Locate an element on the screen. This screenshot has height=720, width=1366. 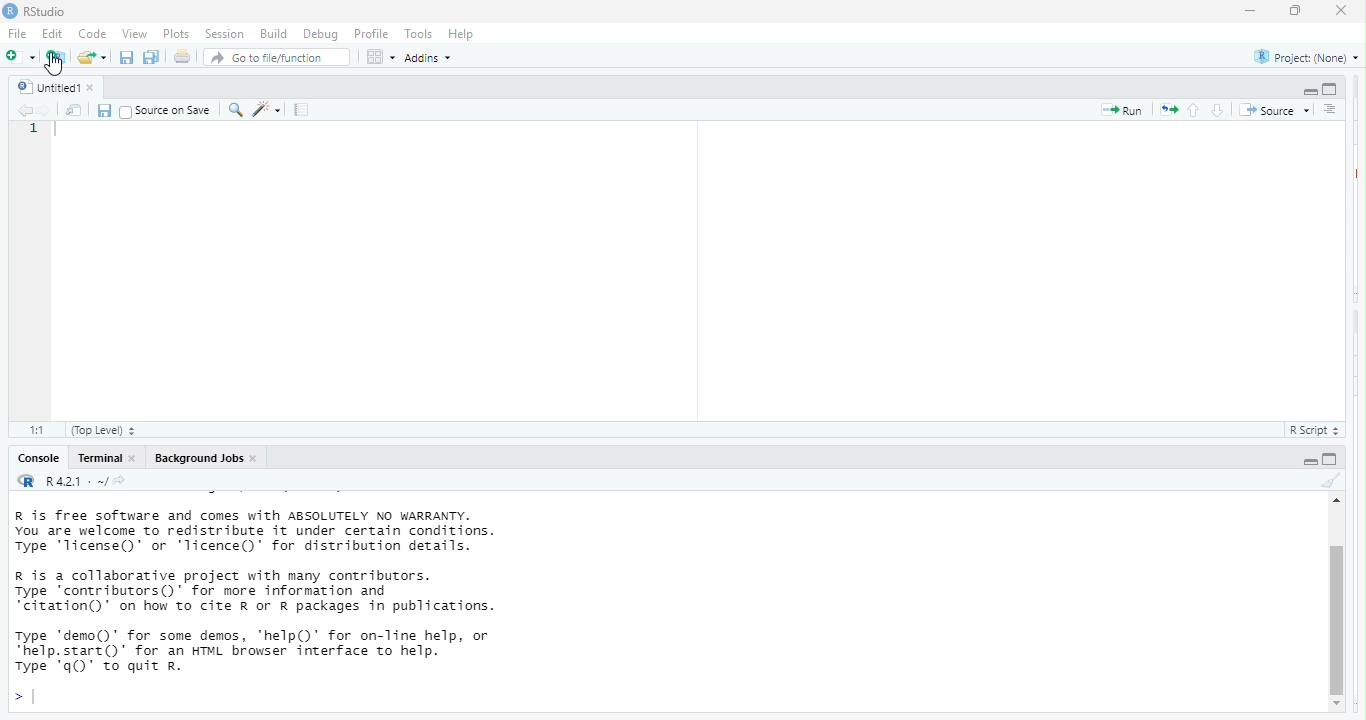
scroll down is located at coordinates (1338, 705).